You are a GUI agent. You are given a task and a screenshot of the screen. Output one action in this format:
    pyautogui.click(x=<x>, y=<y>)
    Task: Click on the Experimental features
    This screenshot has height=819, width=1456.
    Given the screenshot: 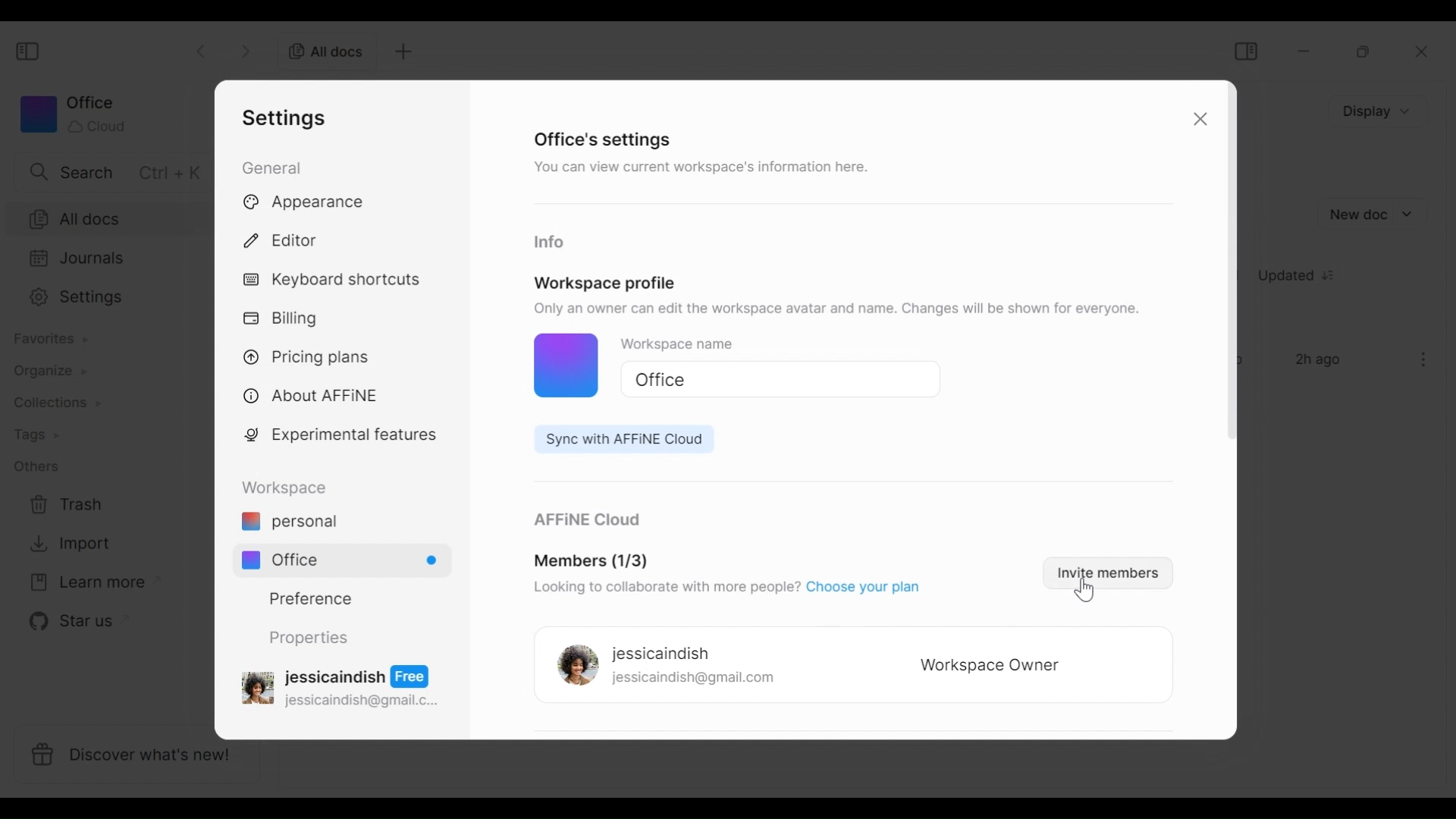 What is the action you would take?
    pyautogui.click(x=344, y=438)
    